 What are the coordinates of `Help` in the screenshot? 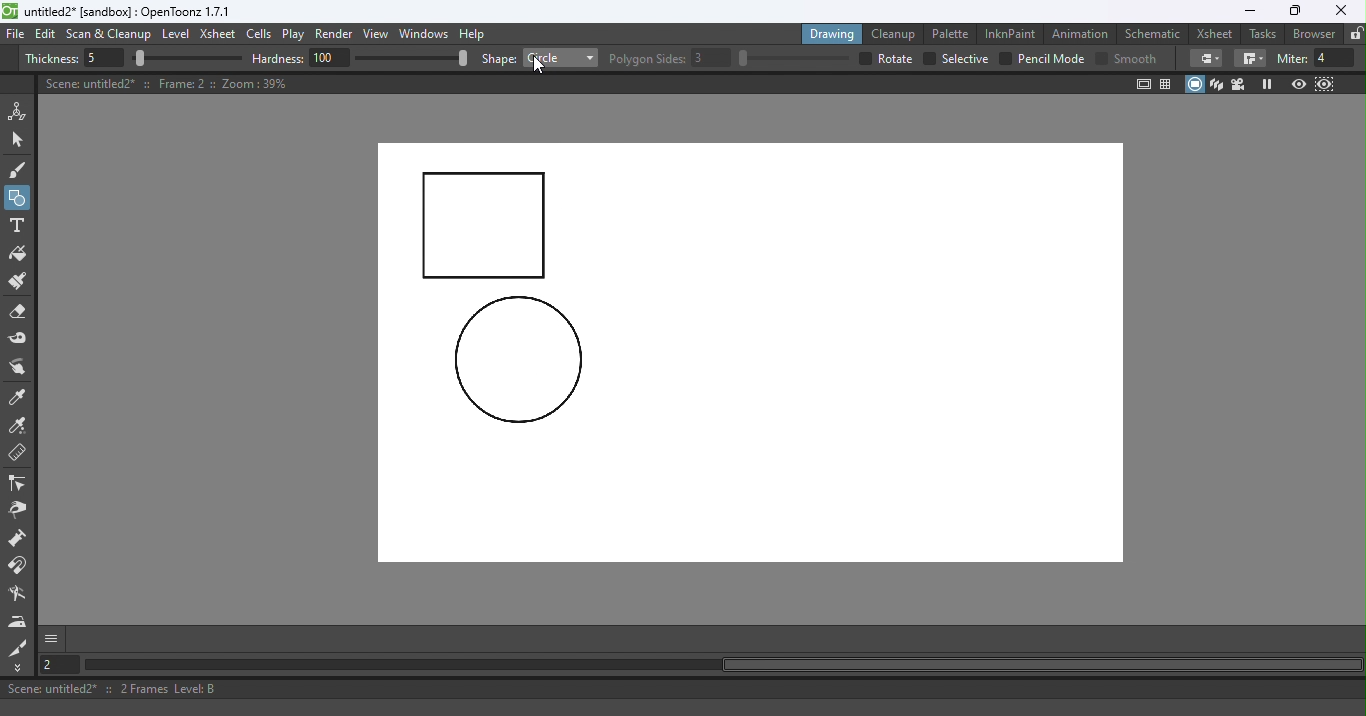 It's located at (475, 33).